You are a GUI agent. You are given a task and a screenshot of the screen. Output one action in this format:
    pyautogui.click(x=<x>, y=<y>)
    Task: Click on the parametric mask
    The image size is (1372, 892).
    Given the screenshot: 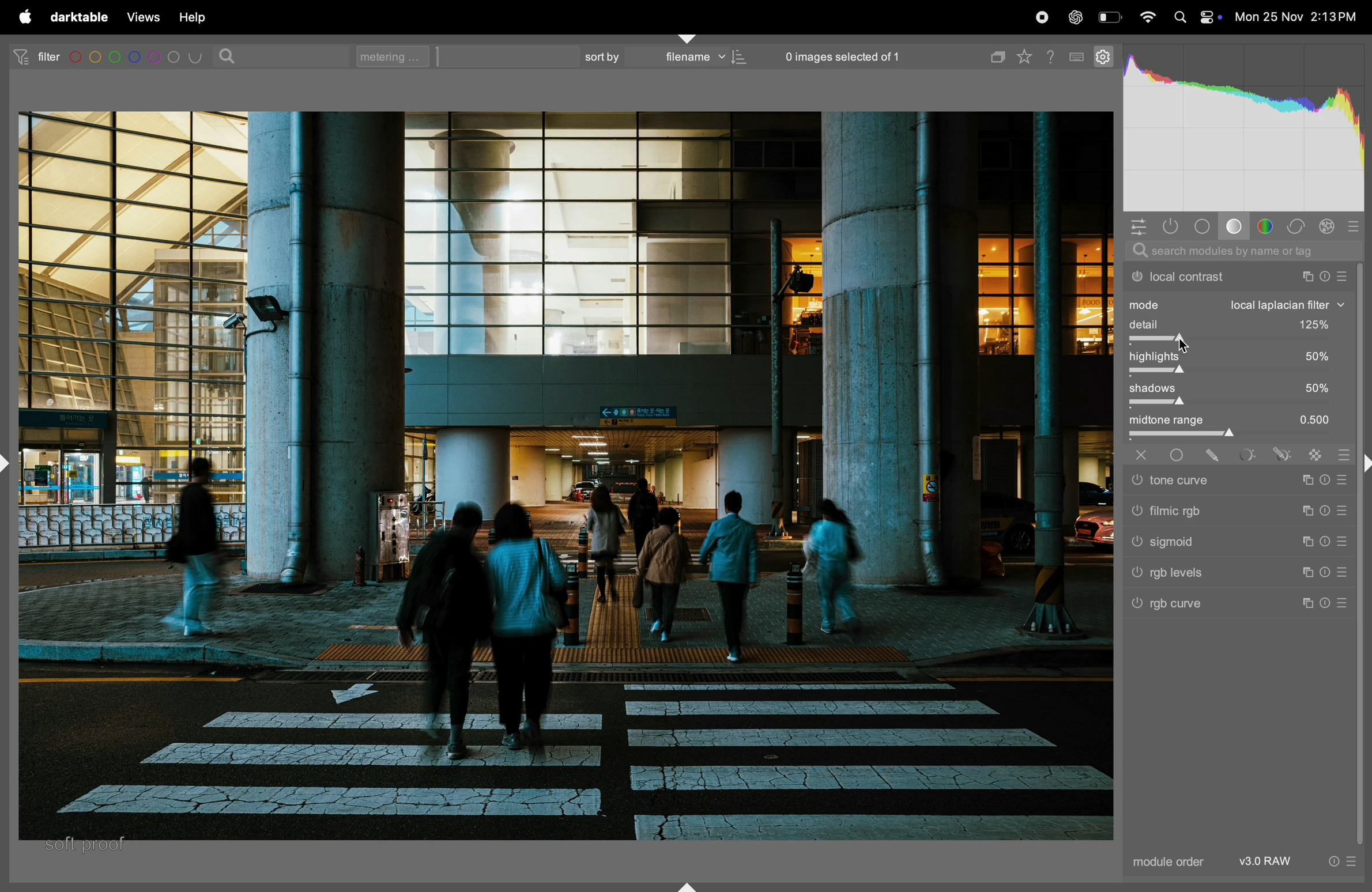 What is the action you would take?
    pyautogui.click(x=1249, y=455)
    